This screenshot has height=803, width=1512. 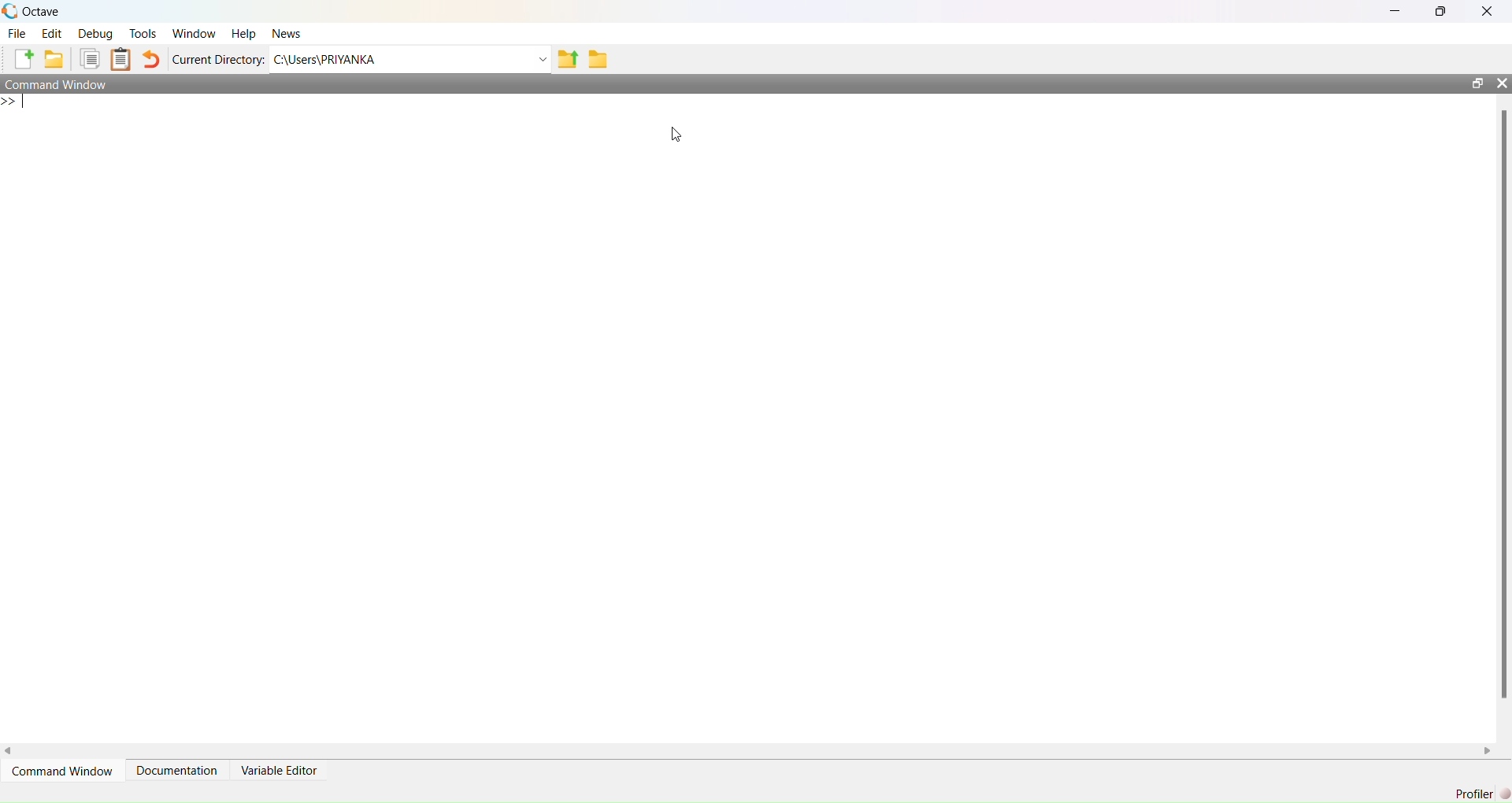 What do you see at coordinates (283, 772) in the screenshot?
I see `variable editor` at bounding box center [283, 772].